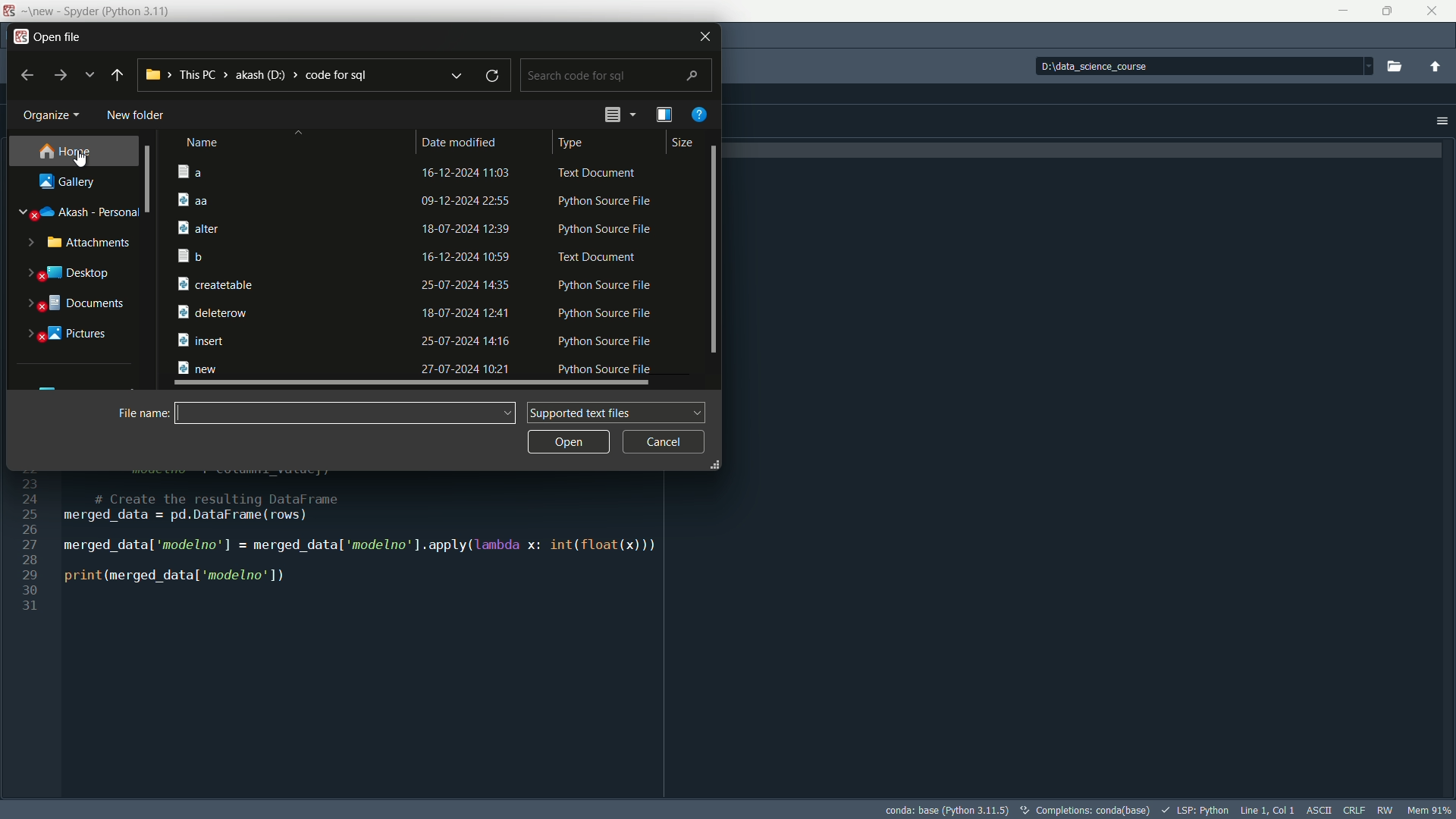  I want to click on Vertical Scroll bar, so click(150, 180).